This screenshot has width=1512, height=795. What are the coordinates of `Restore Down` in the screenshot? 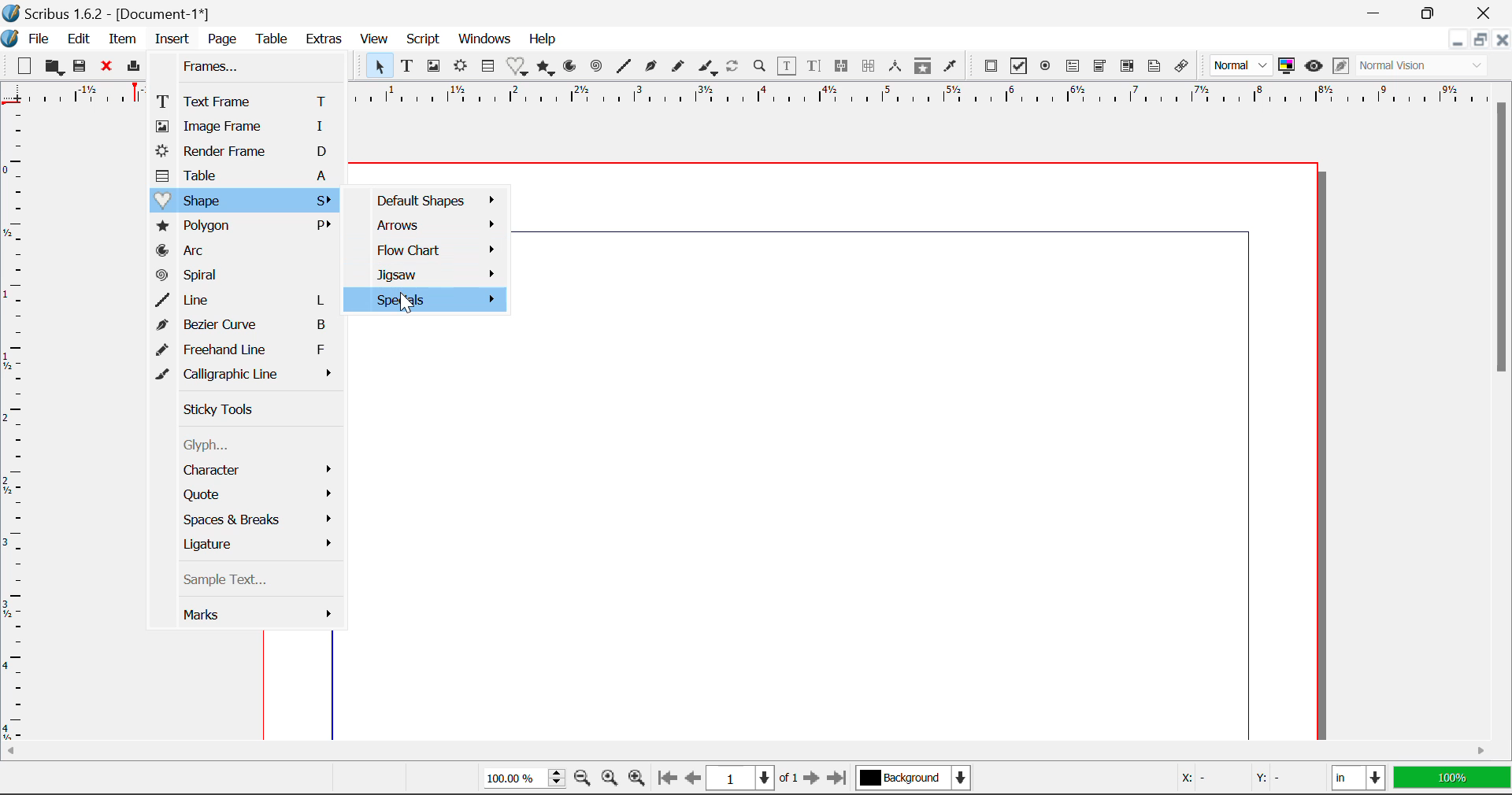 It's located at (1378, 12).